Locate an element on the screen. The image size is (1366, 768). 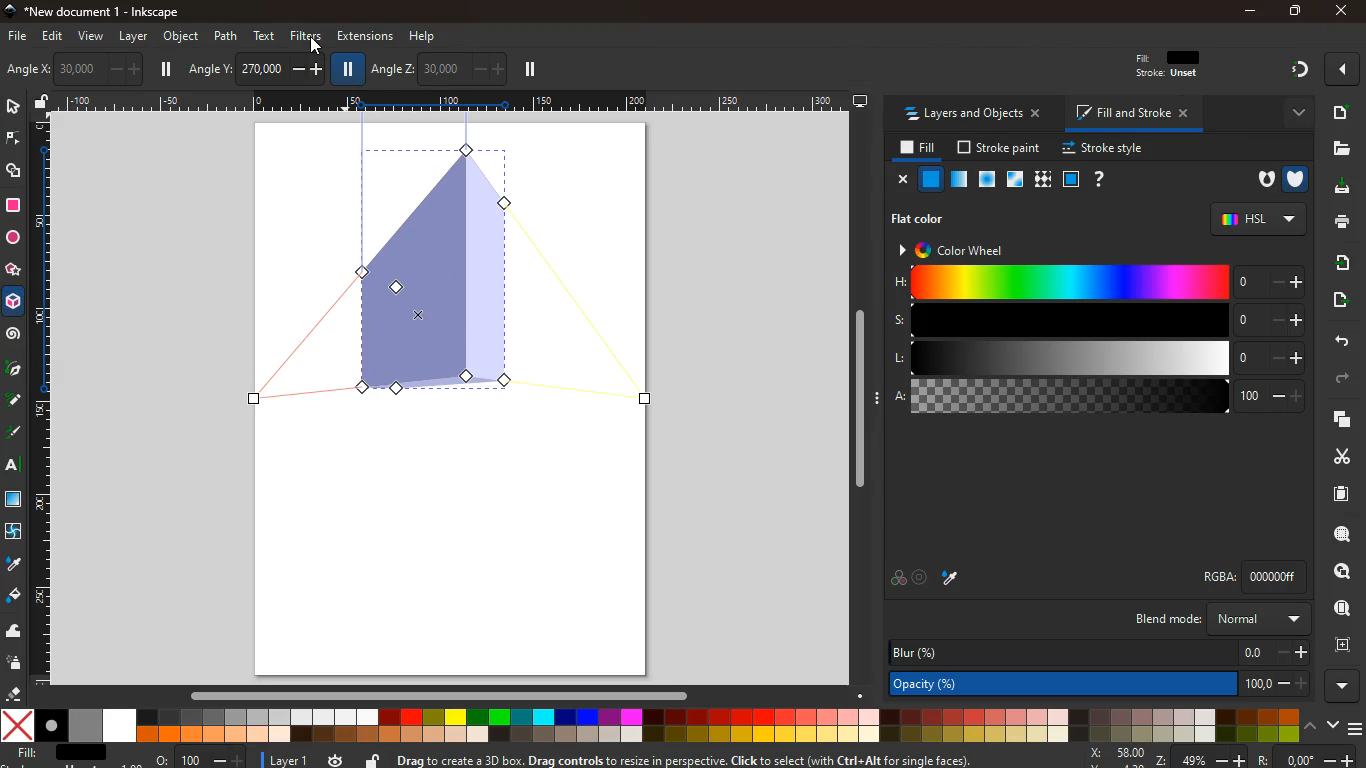
close is located at coordinates (903, 180).